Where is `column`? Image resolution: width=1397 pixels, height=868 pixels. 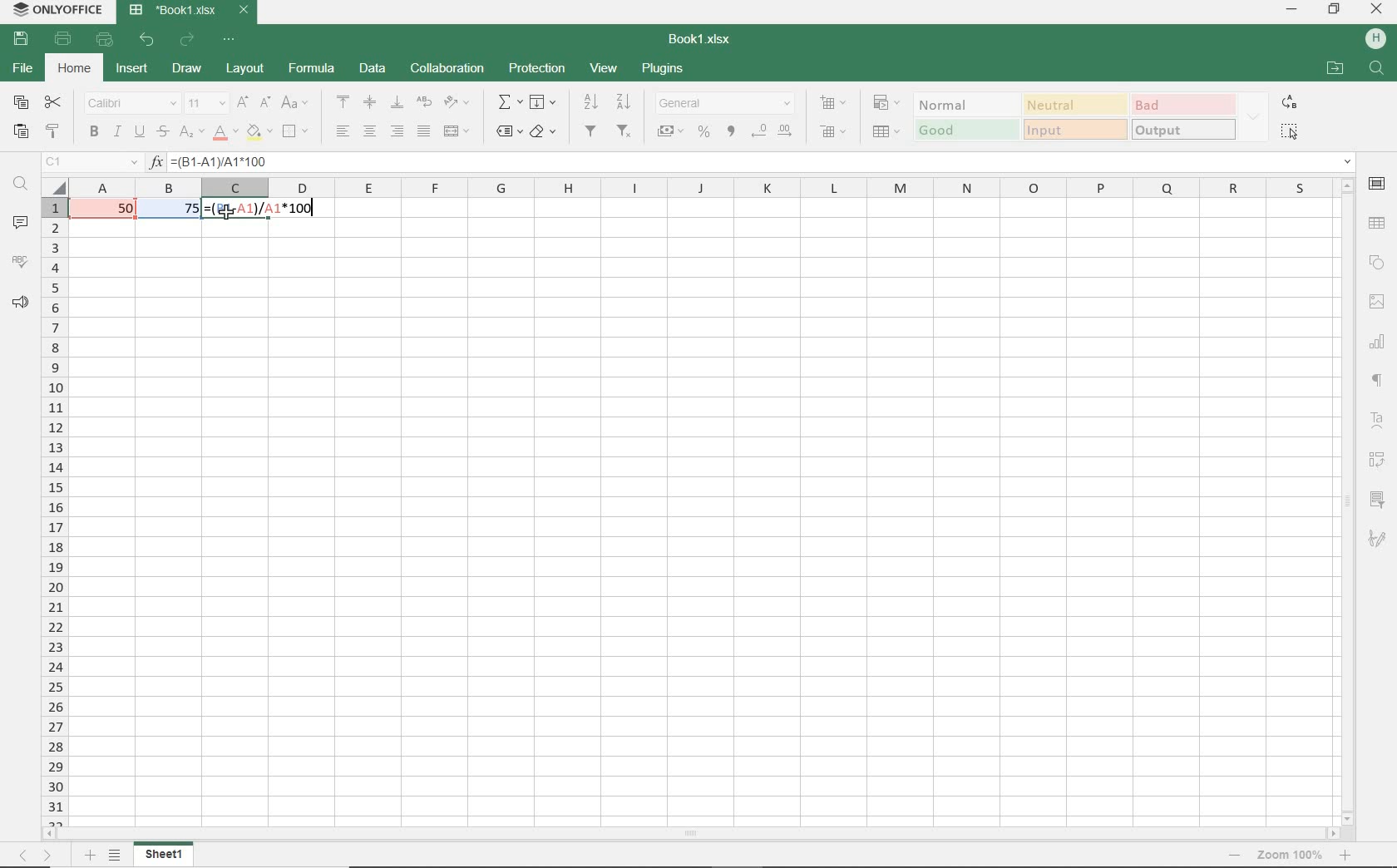 column is located at coordinates (708, 187).